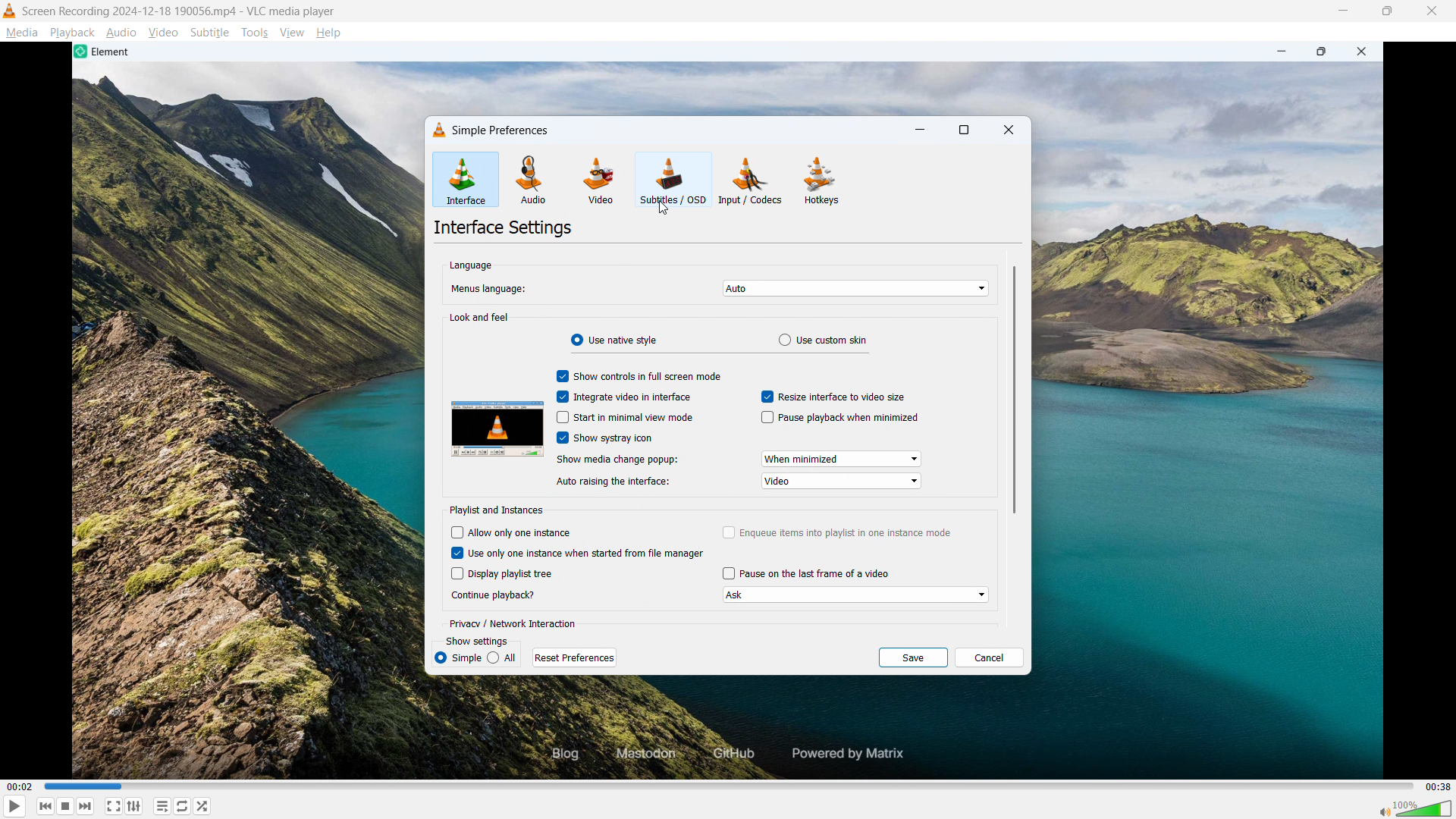 The height and width of the screenshot is (819, 1456). What do you see at coordinates (1436, 786) in the screenshot?
I see `video duration` at bounding box center [1436, 786].